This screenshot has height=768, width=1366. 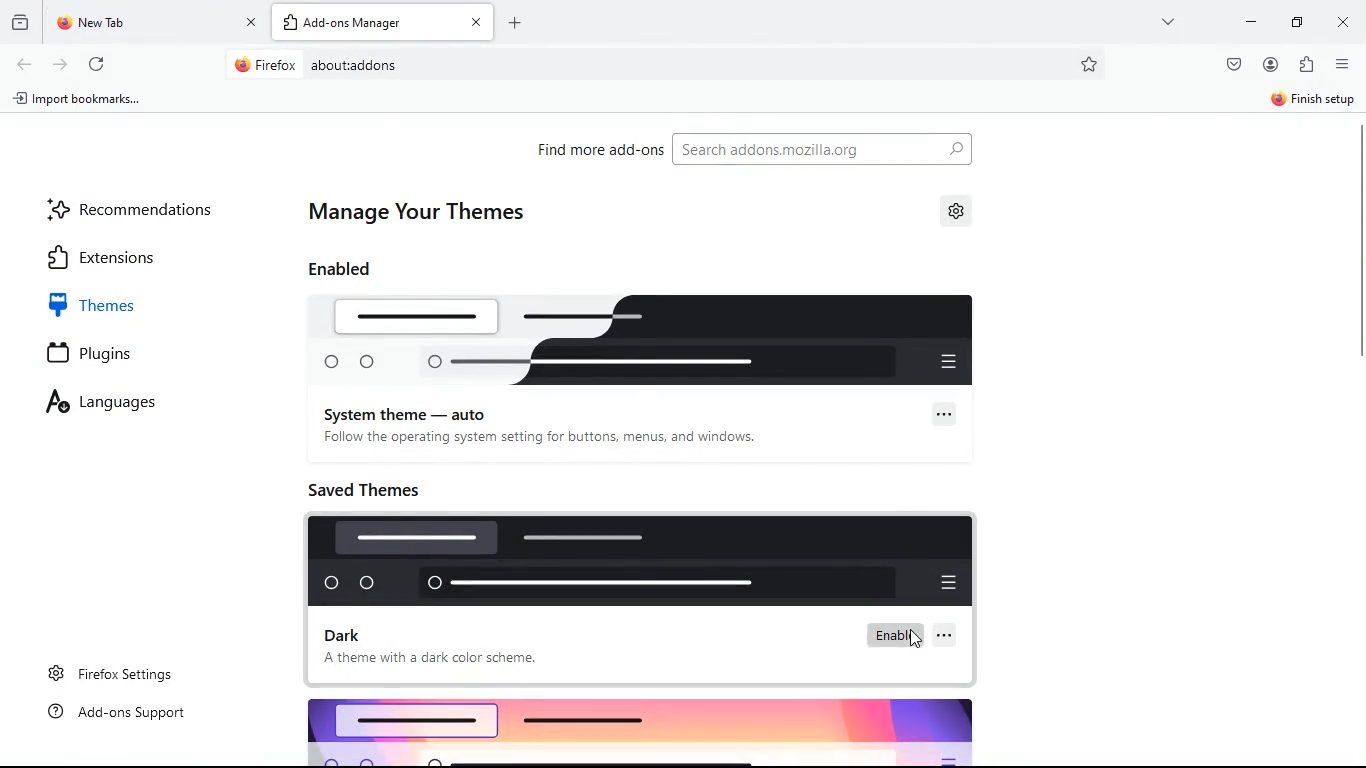 What do you see at coordinates (1344, 22) in the screenshot?
I see `close` at bounding box center [1344, 22].